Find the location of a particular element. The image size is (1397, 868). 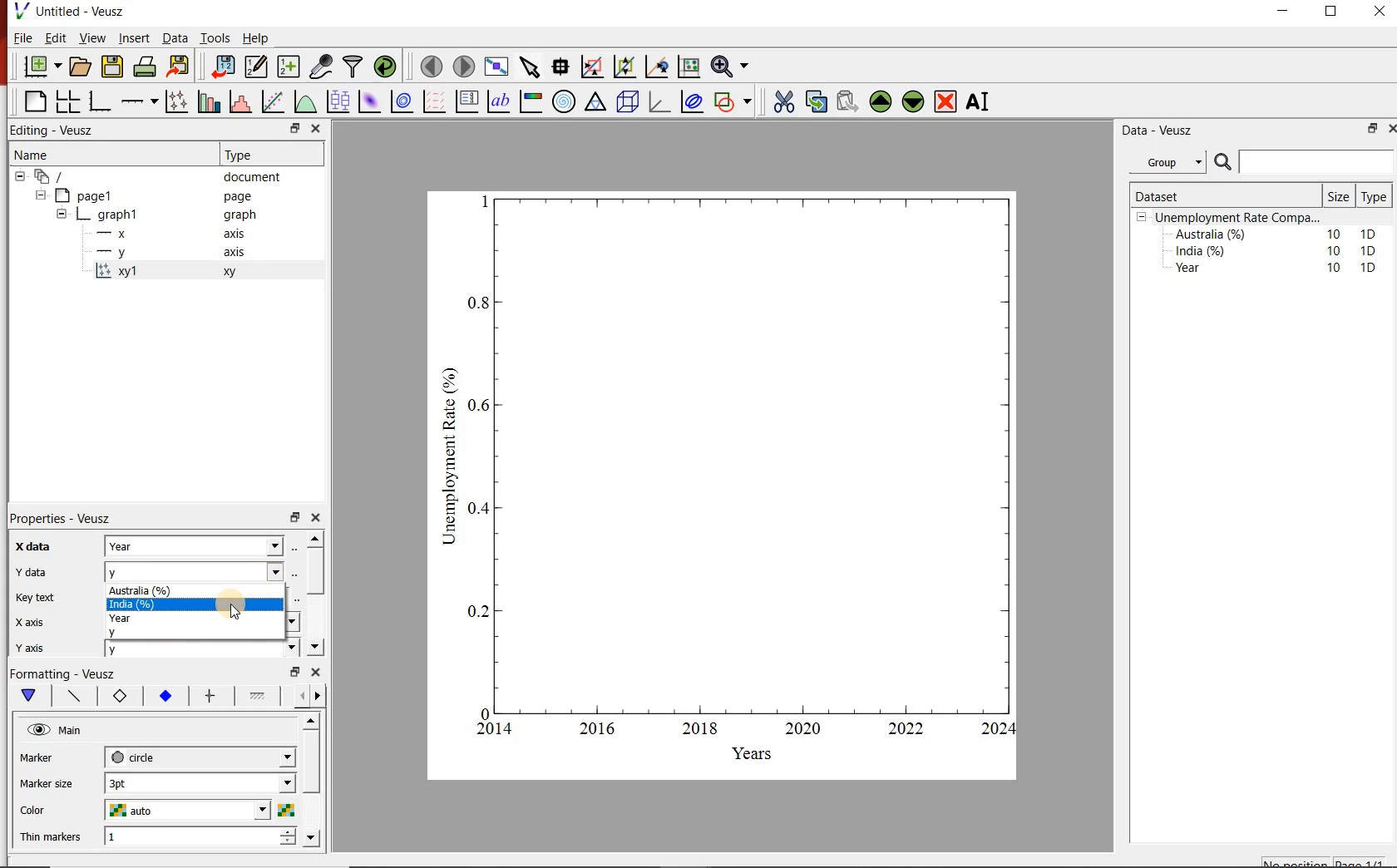

close is located at coordinates (317, 128).